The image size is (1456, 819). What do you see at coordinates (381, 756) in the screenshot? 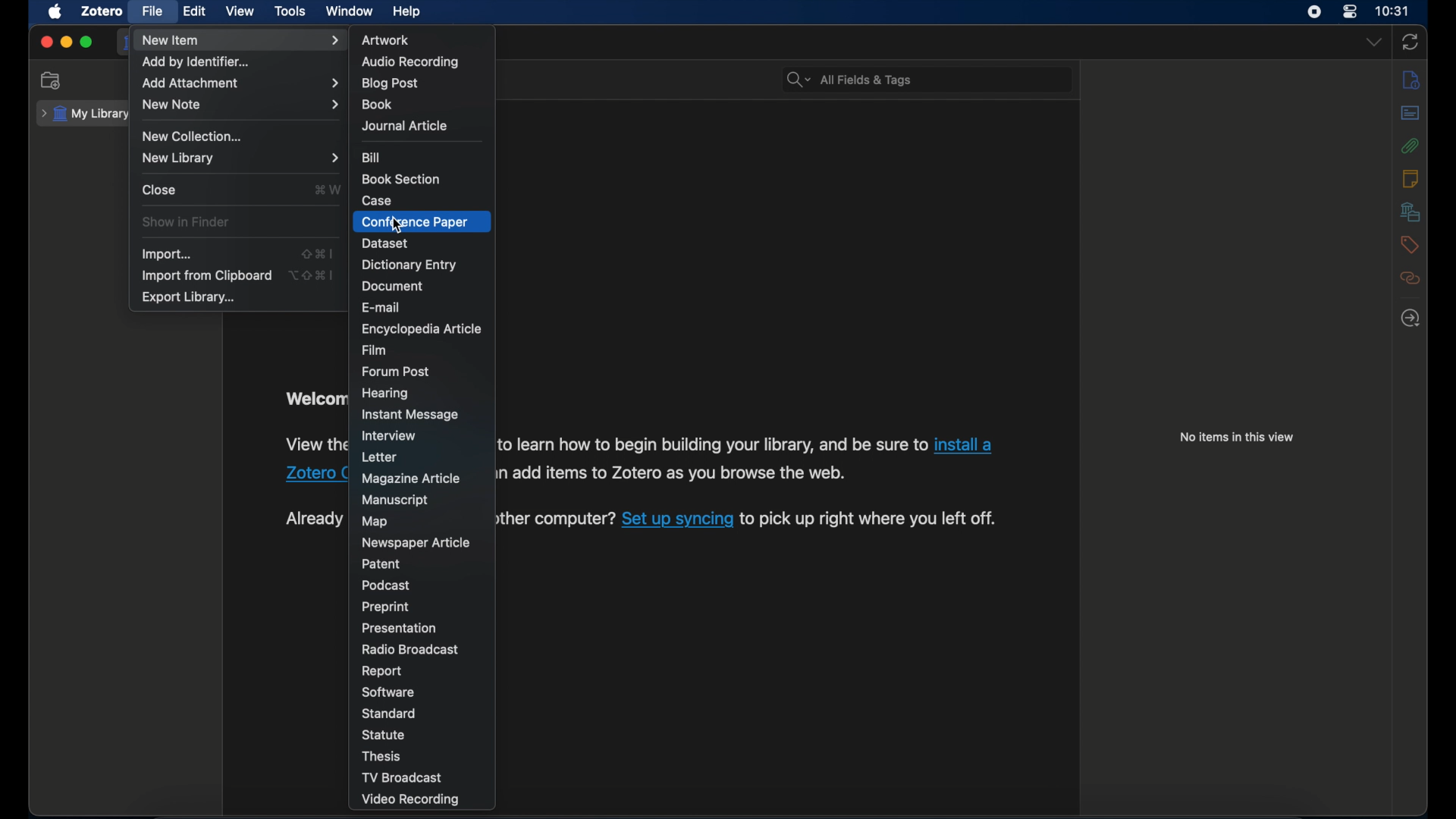
I see `thesis` at bounding box center [381, 756].